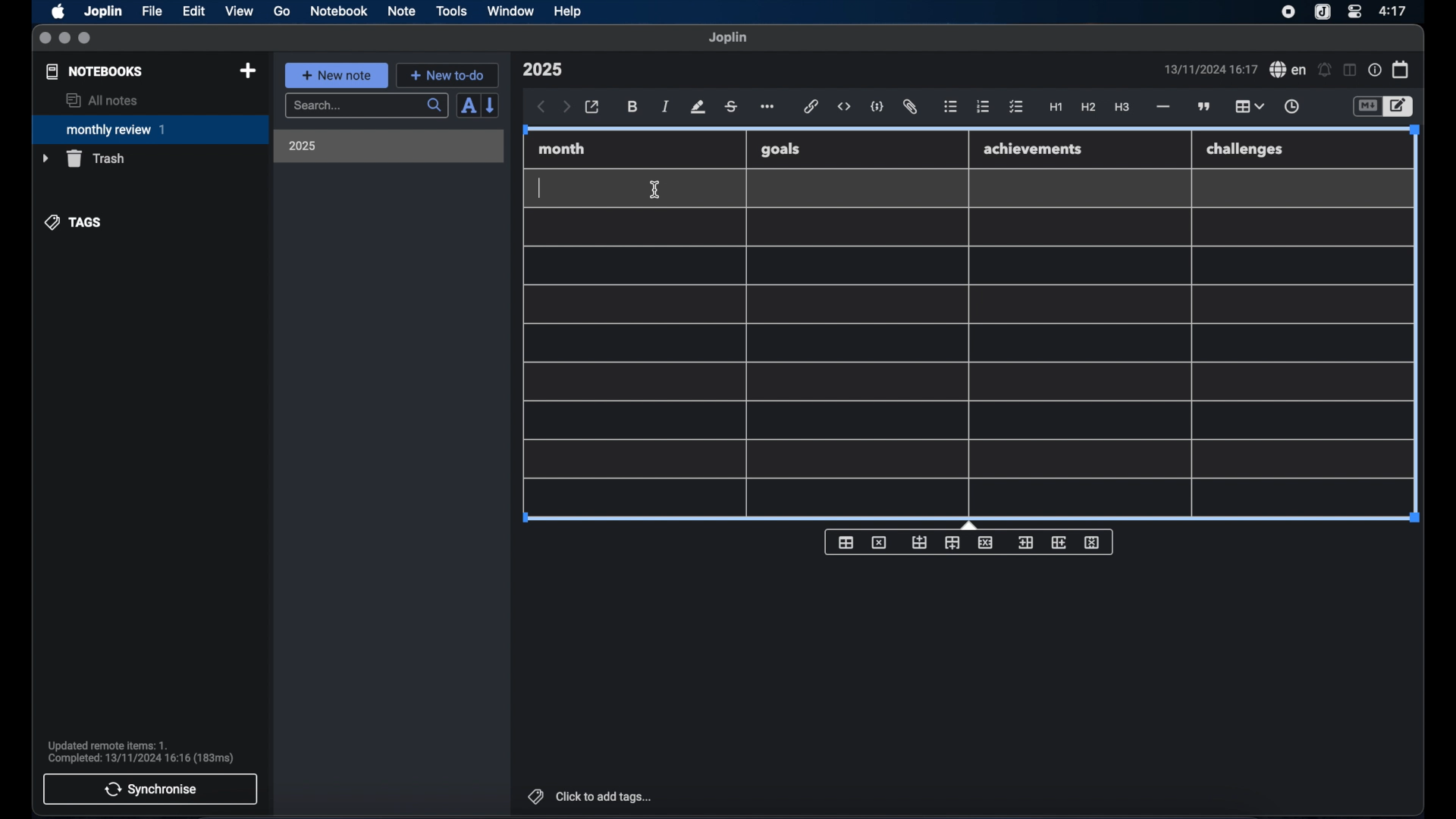  Describe the element at coordinates (303, 146) in the screenshot. I see `2025` at that location.